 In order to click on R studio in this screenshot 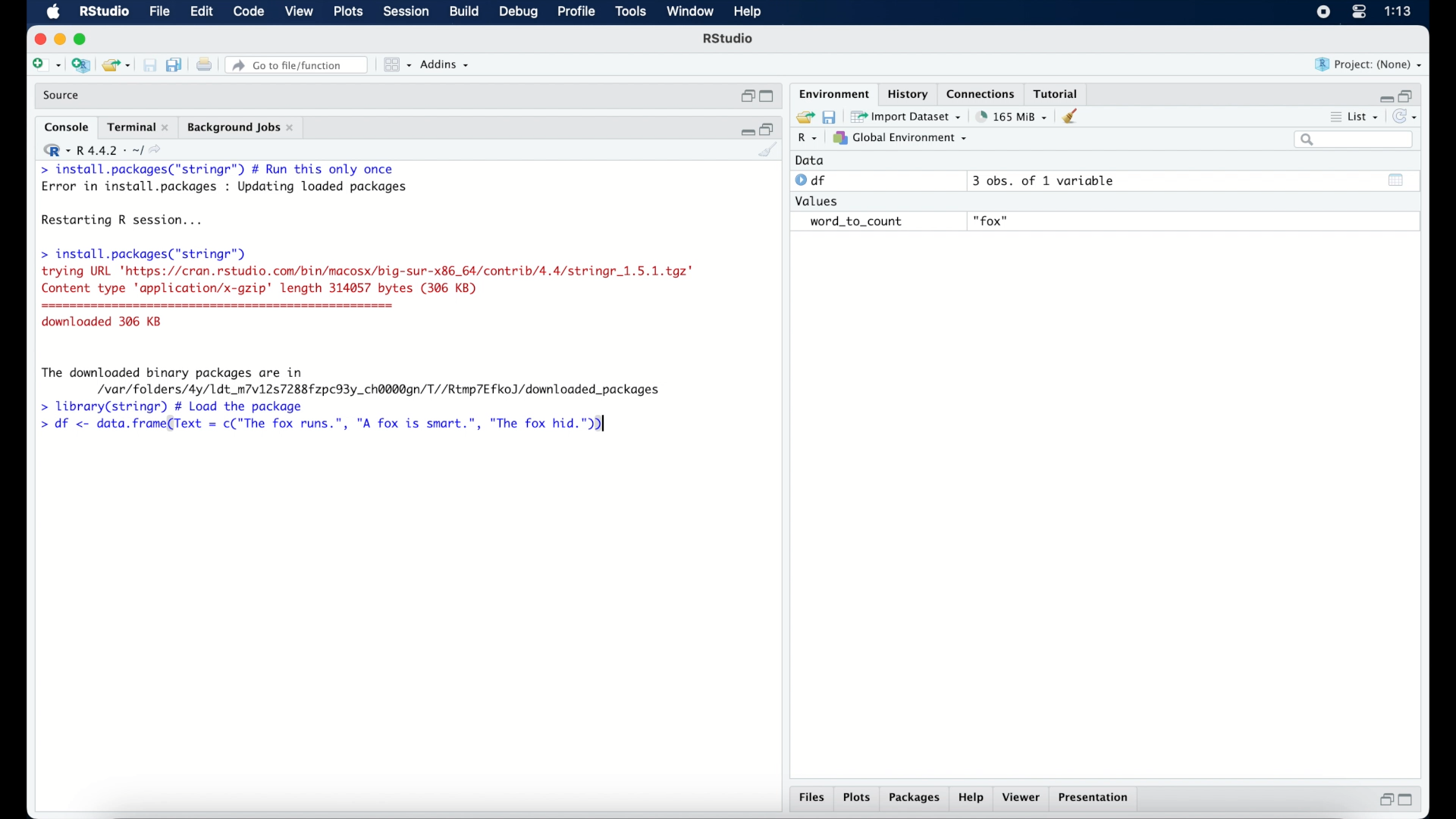, I will do `click(728, 39)`.